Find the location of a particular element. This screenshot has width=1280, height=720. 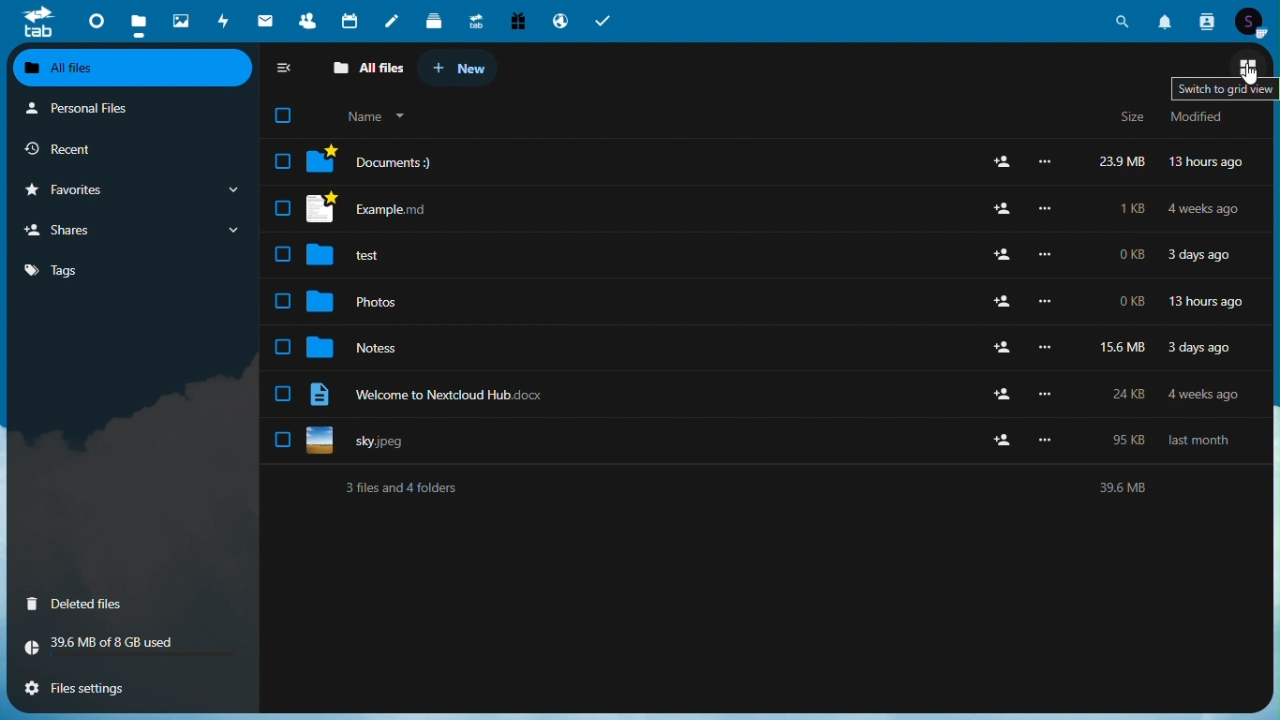

add user is located at coordinates (1001, 210).